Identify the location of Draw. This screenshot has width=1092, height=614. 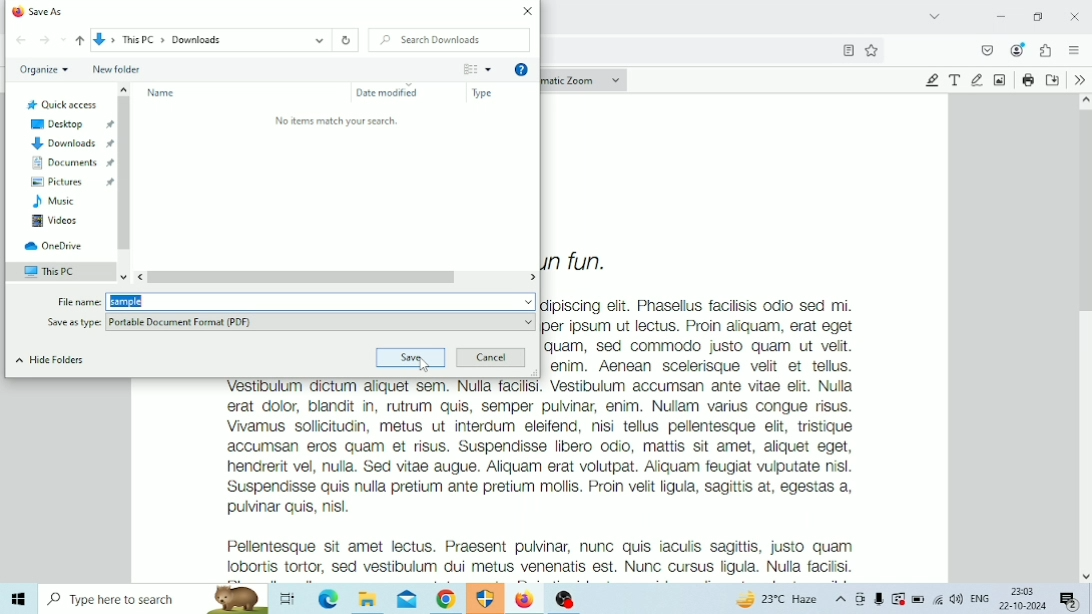
(977, 80).